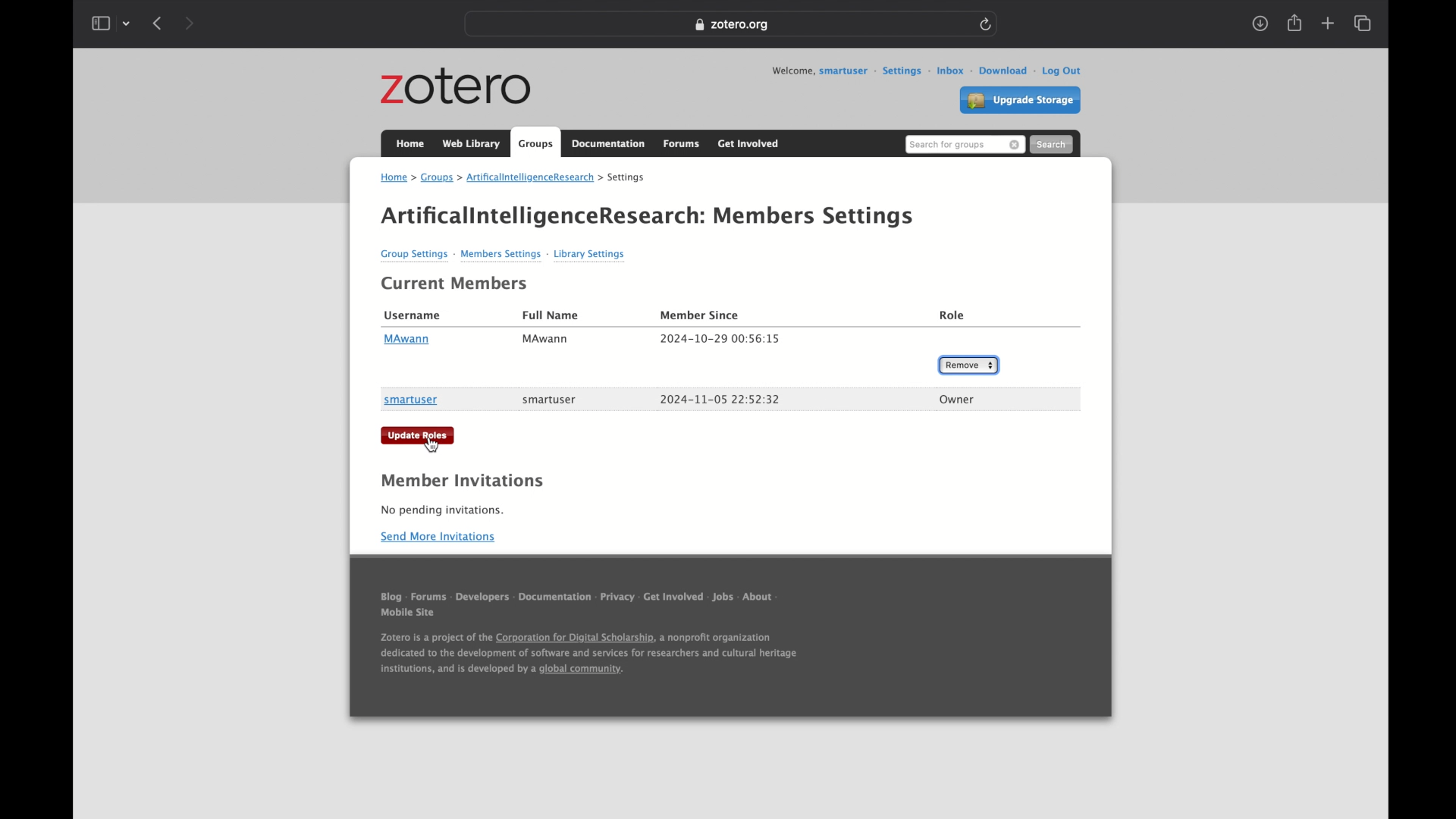 The image size is (1456, 819). I want to click on forums, so click(682, 145).